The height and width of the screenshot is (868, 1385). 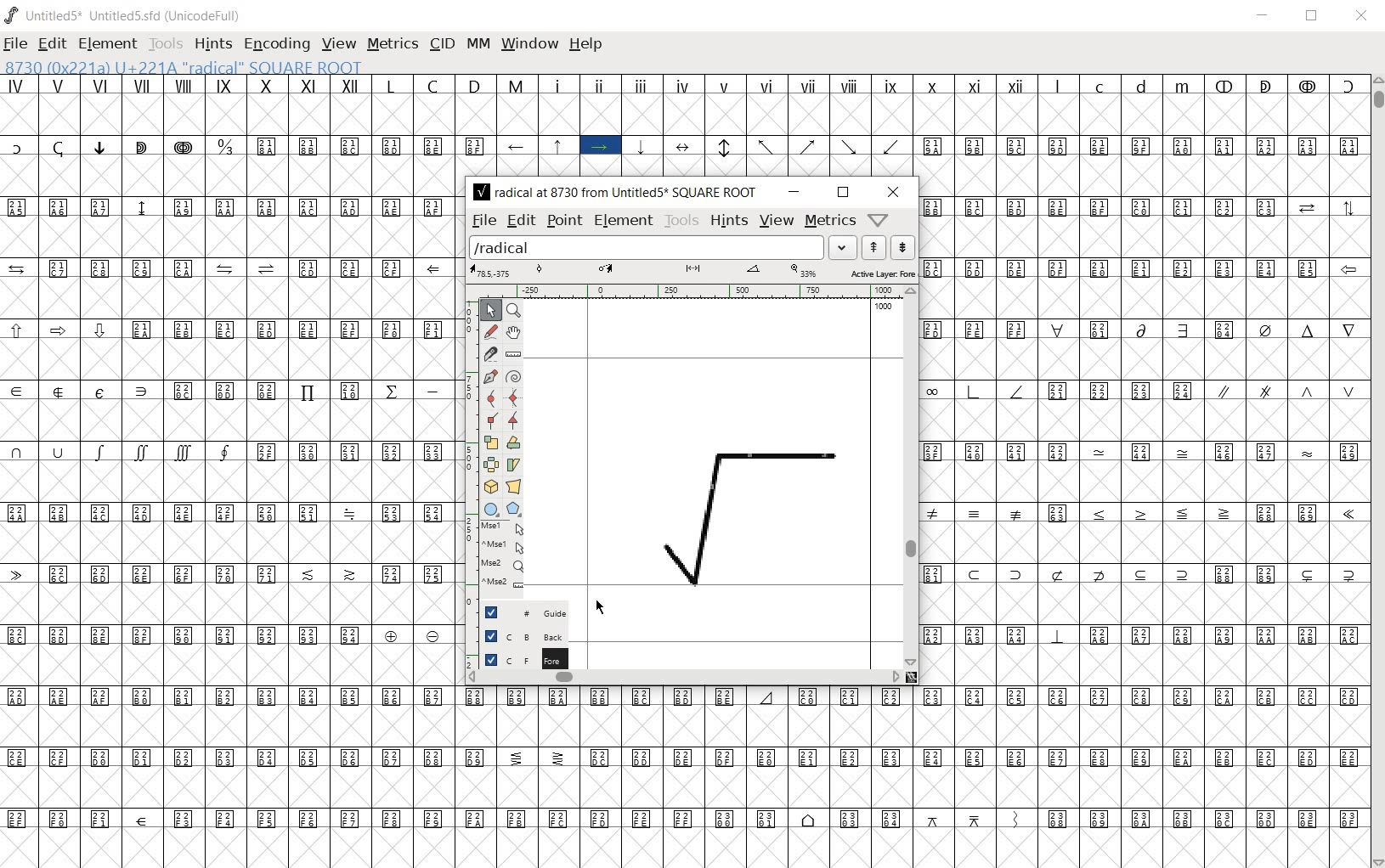 What do you see at coordinates (684, 679) in the screenshot?
I see `scrollbar` at bounding box center [684, 679].